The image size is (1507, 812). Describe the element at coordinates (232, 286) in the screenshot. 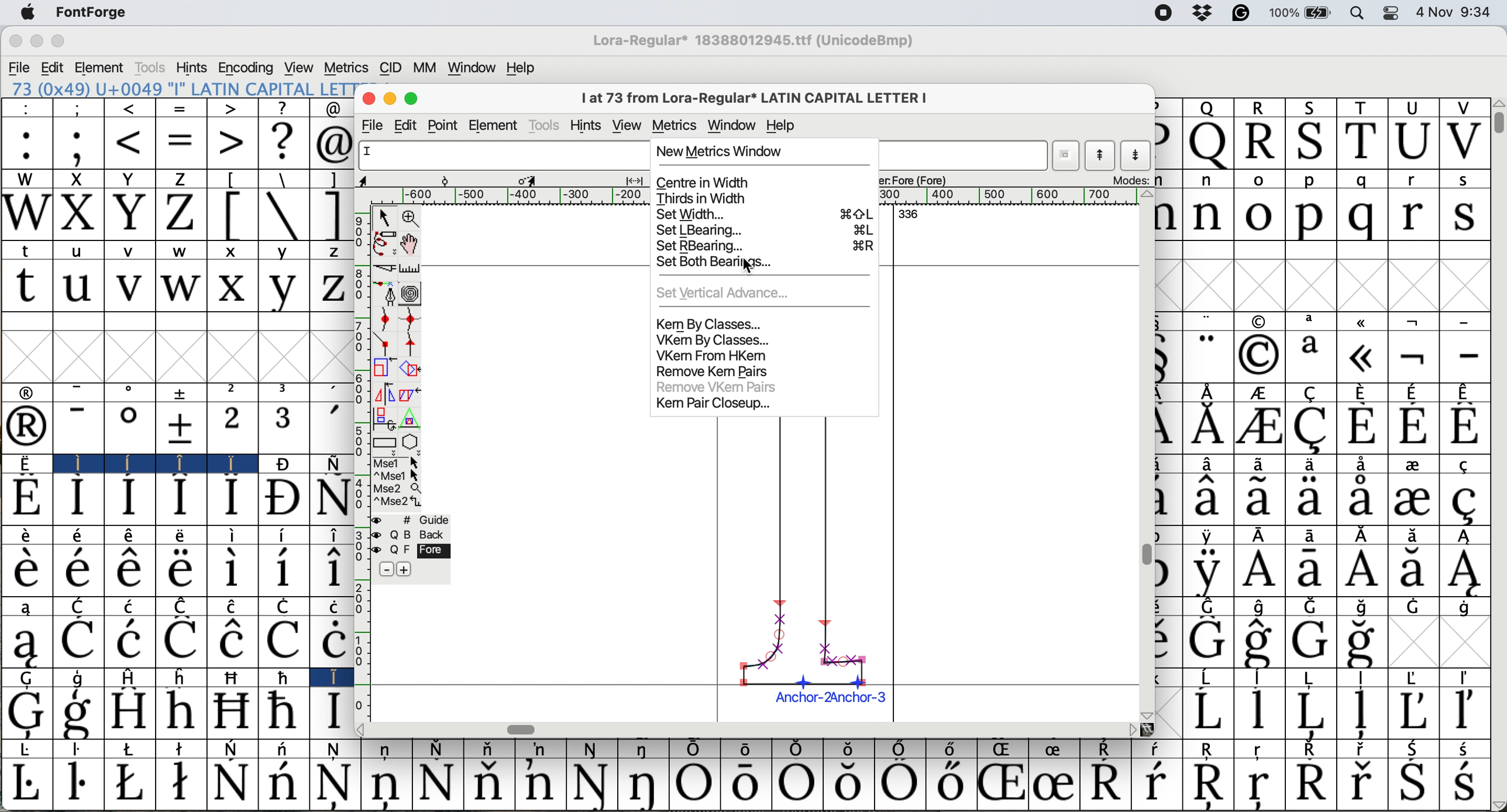

I see `x` at that location.